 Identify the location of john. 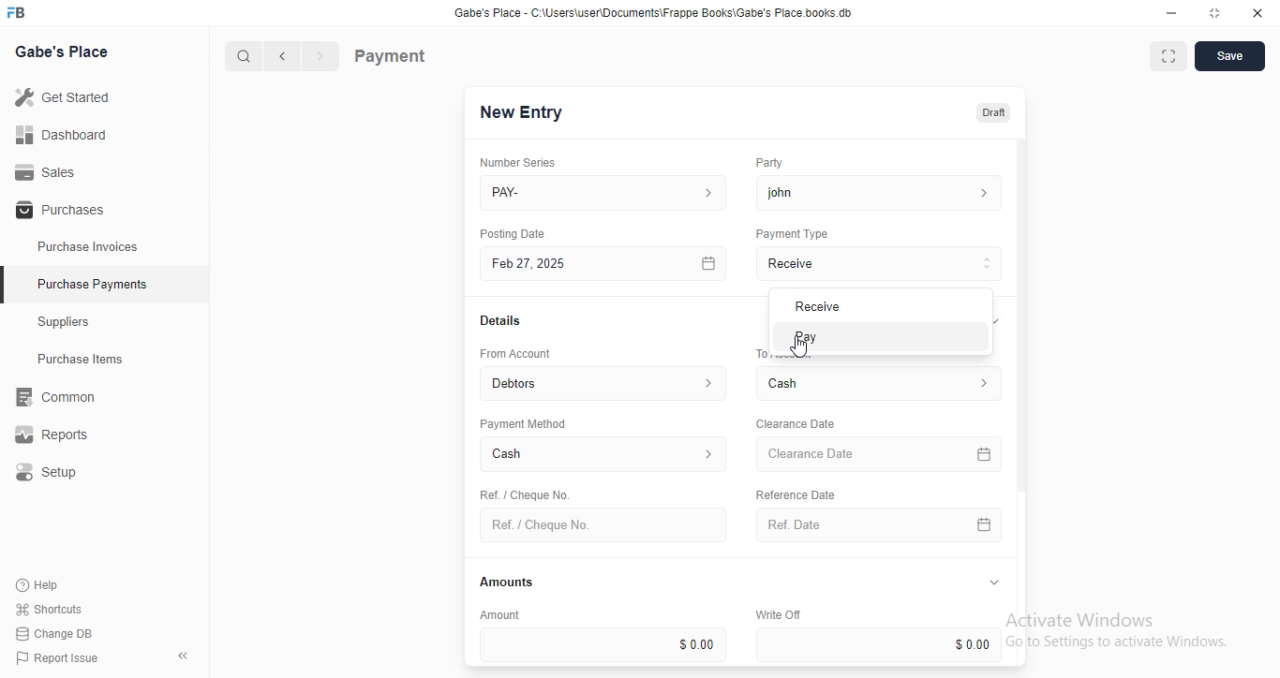
(879, 192).